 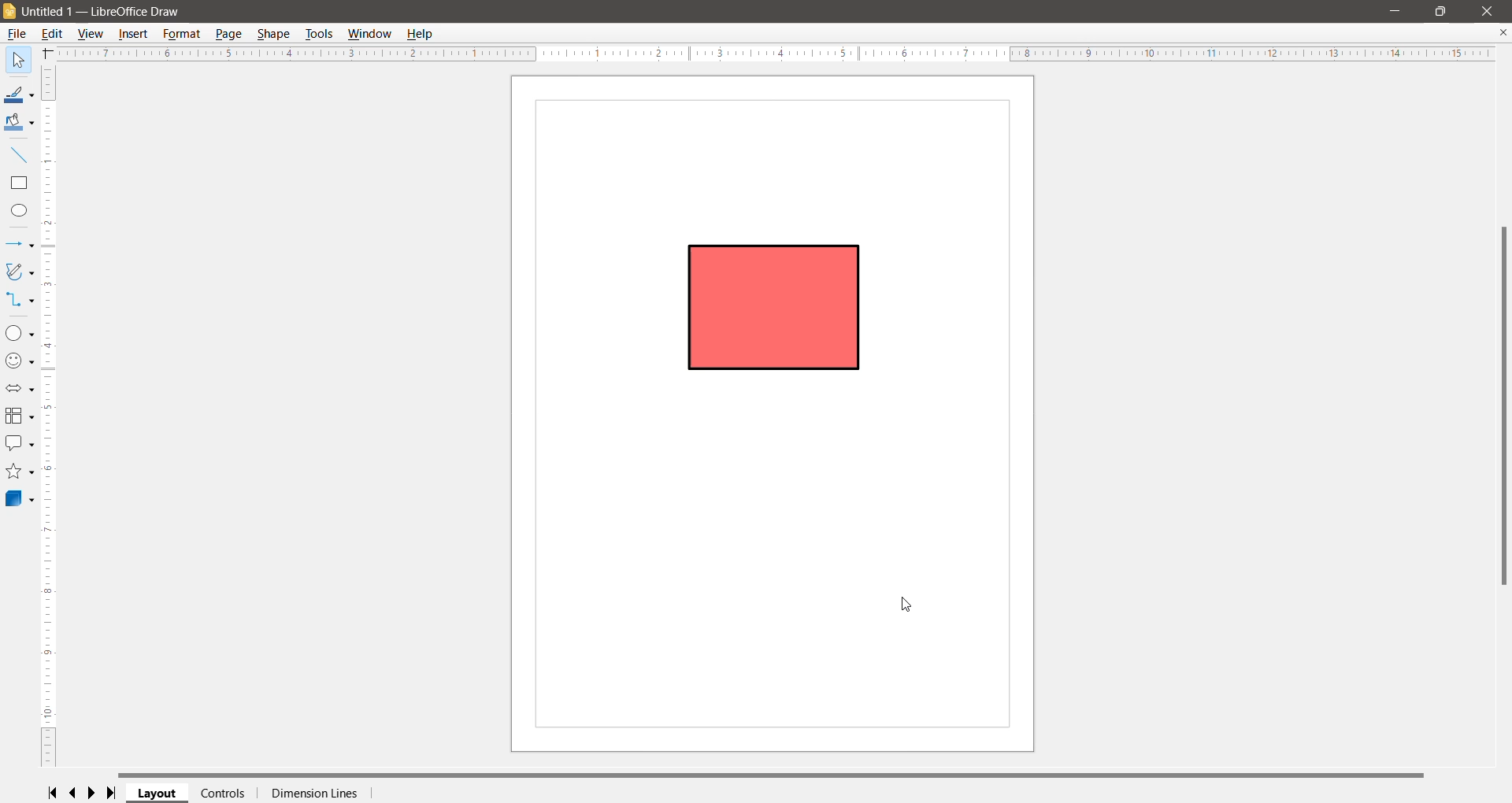 What do you see at coordinates (229, 34) in the screenshot?
I see `Page` at bounding box center [229, 34].